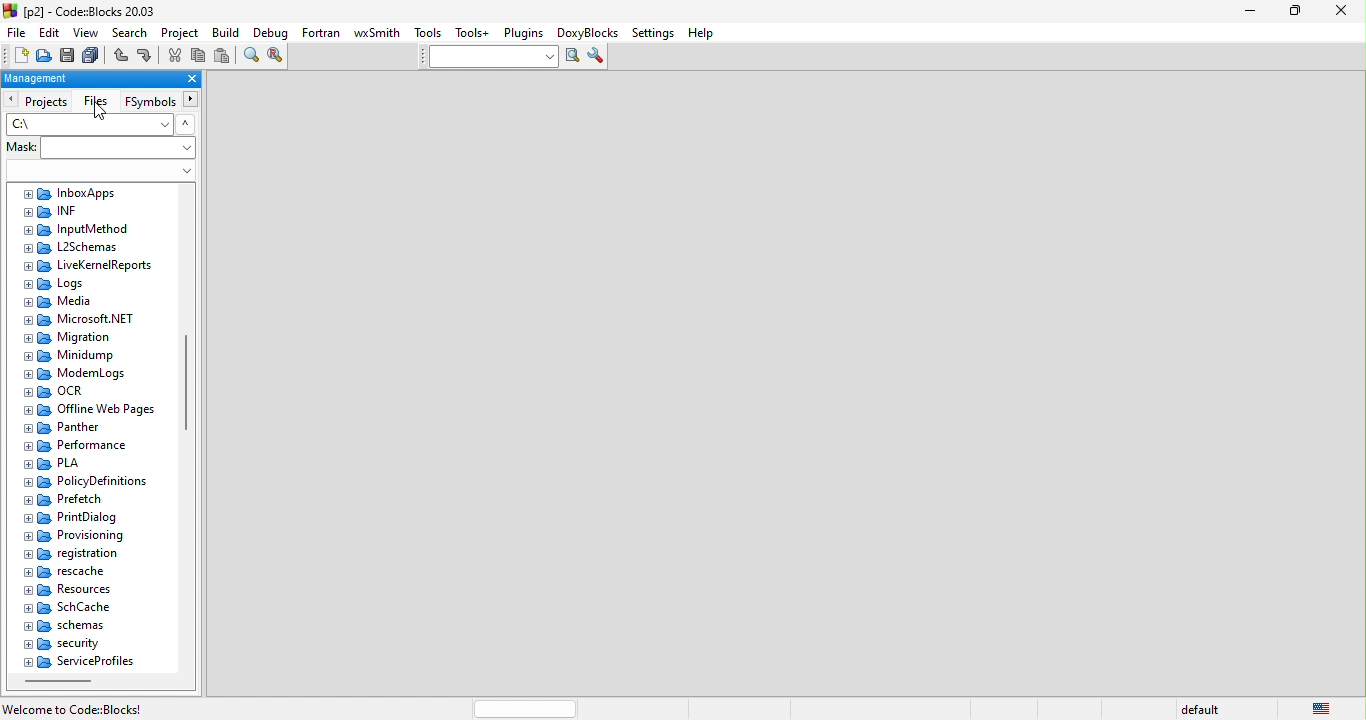 The width and height of the screenshot is (1366, 720). Describe the element at coordinates (79, 357) in the screenshot. I see `minidump` at that location.